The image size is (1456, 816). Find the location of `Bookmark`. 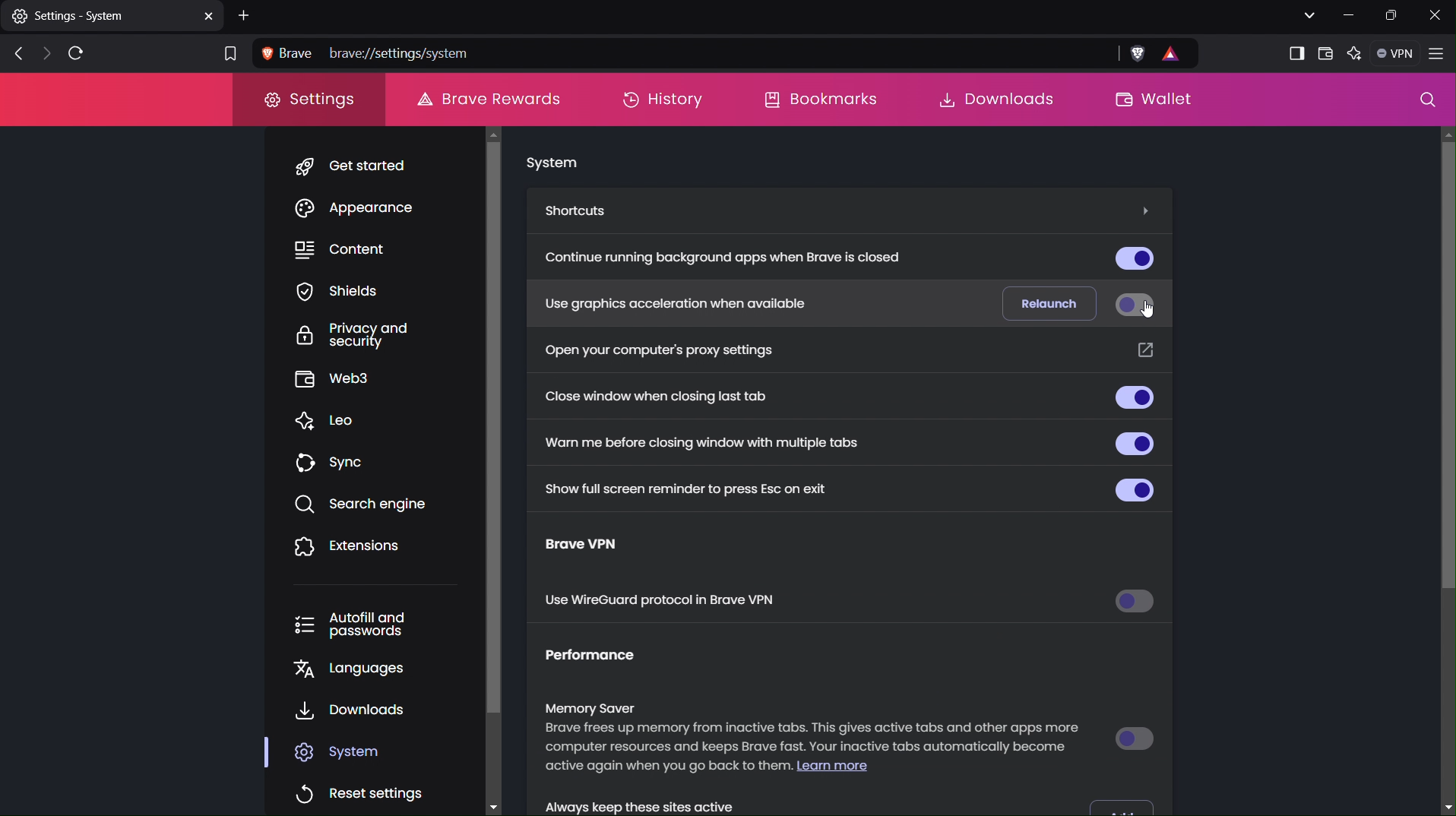

Bookmark is located at coordinates (227, 55).